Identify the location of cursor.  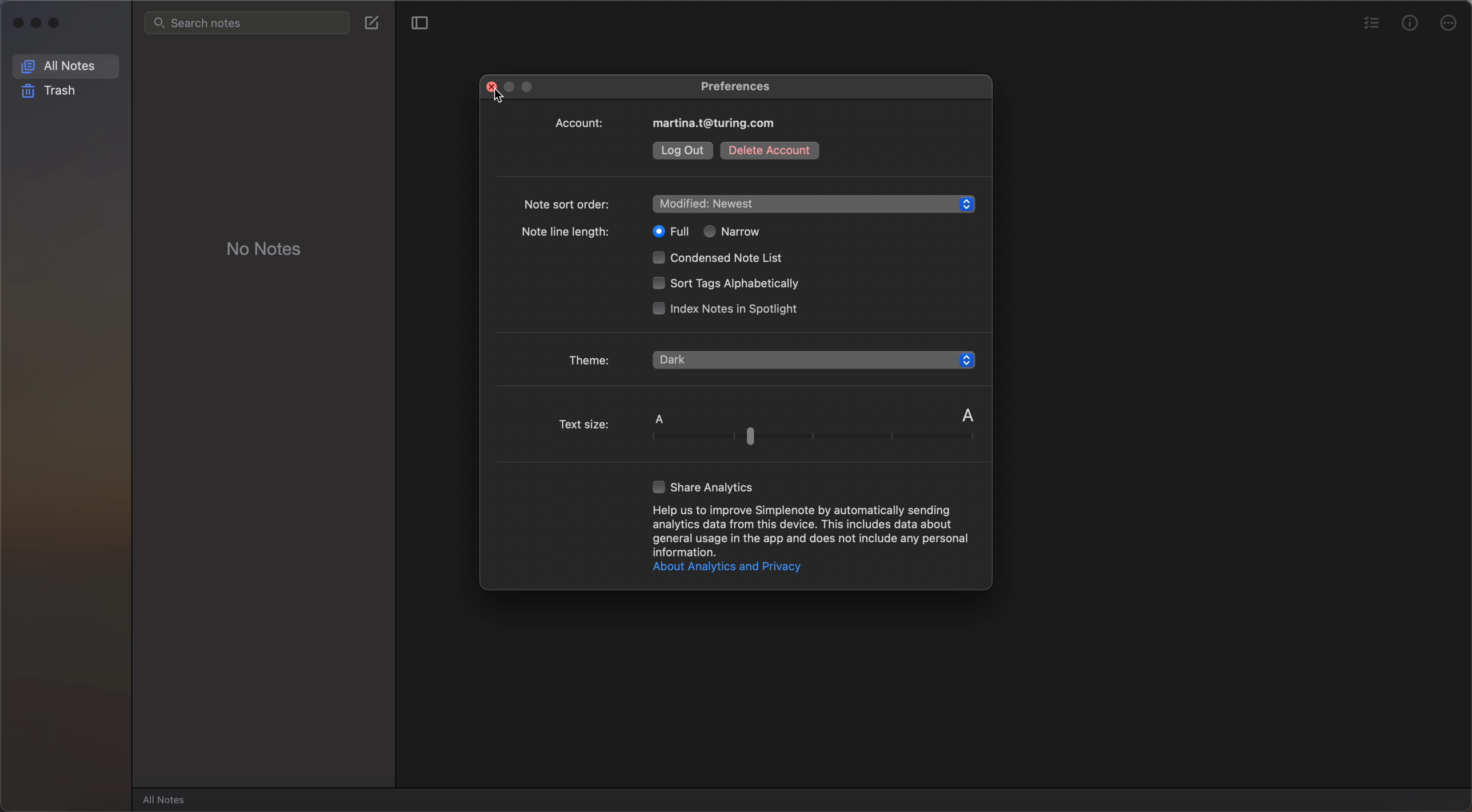
(722, 386).